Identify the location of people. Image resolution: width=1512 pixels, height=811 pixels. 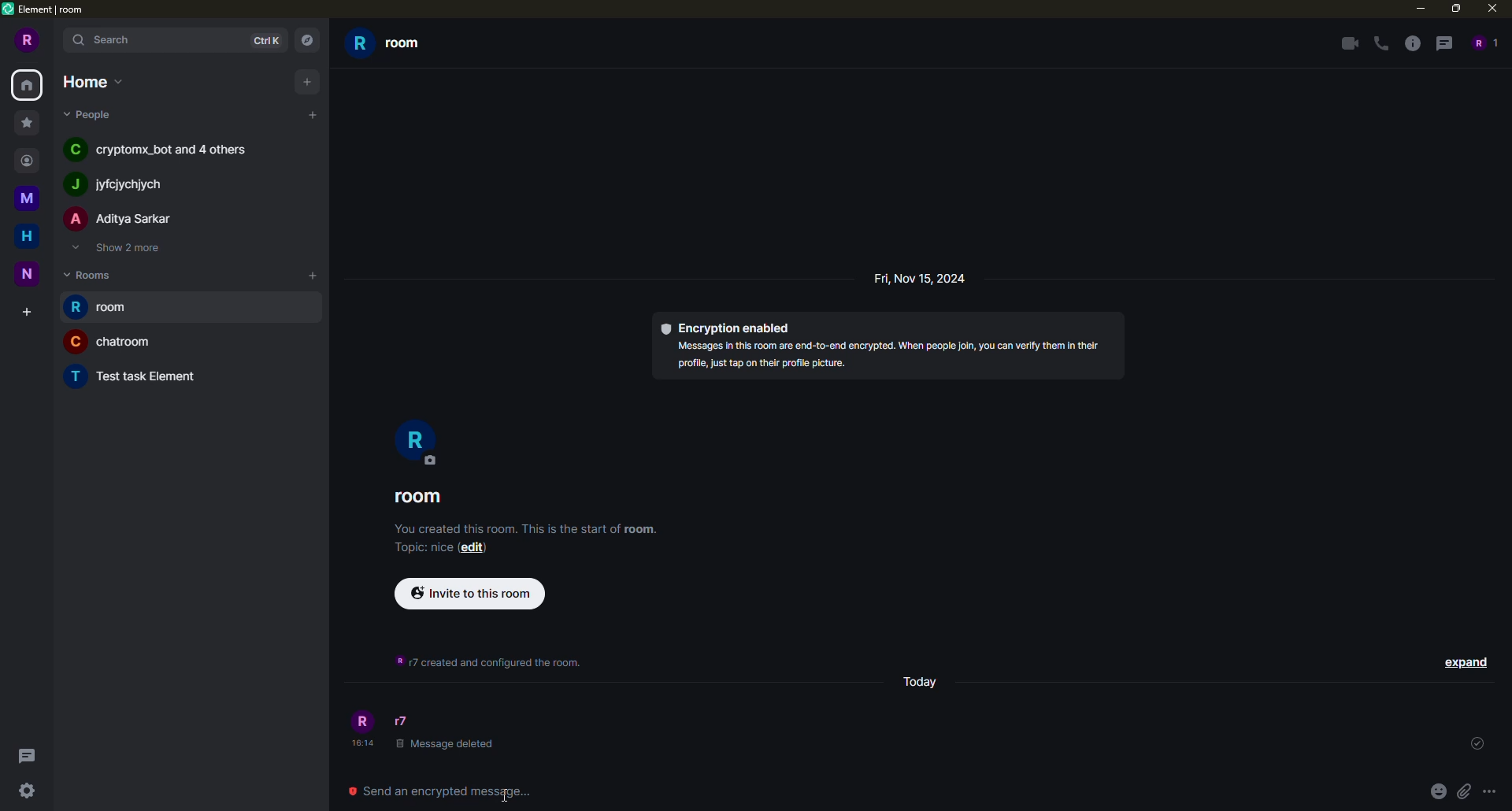
(406, 720).